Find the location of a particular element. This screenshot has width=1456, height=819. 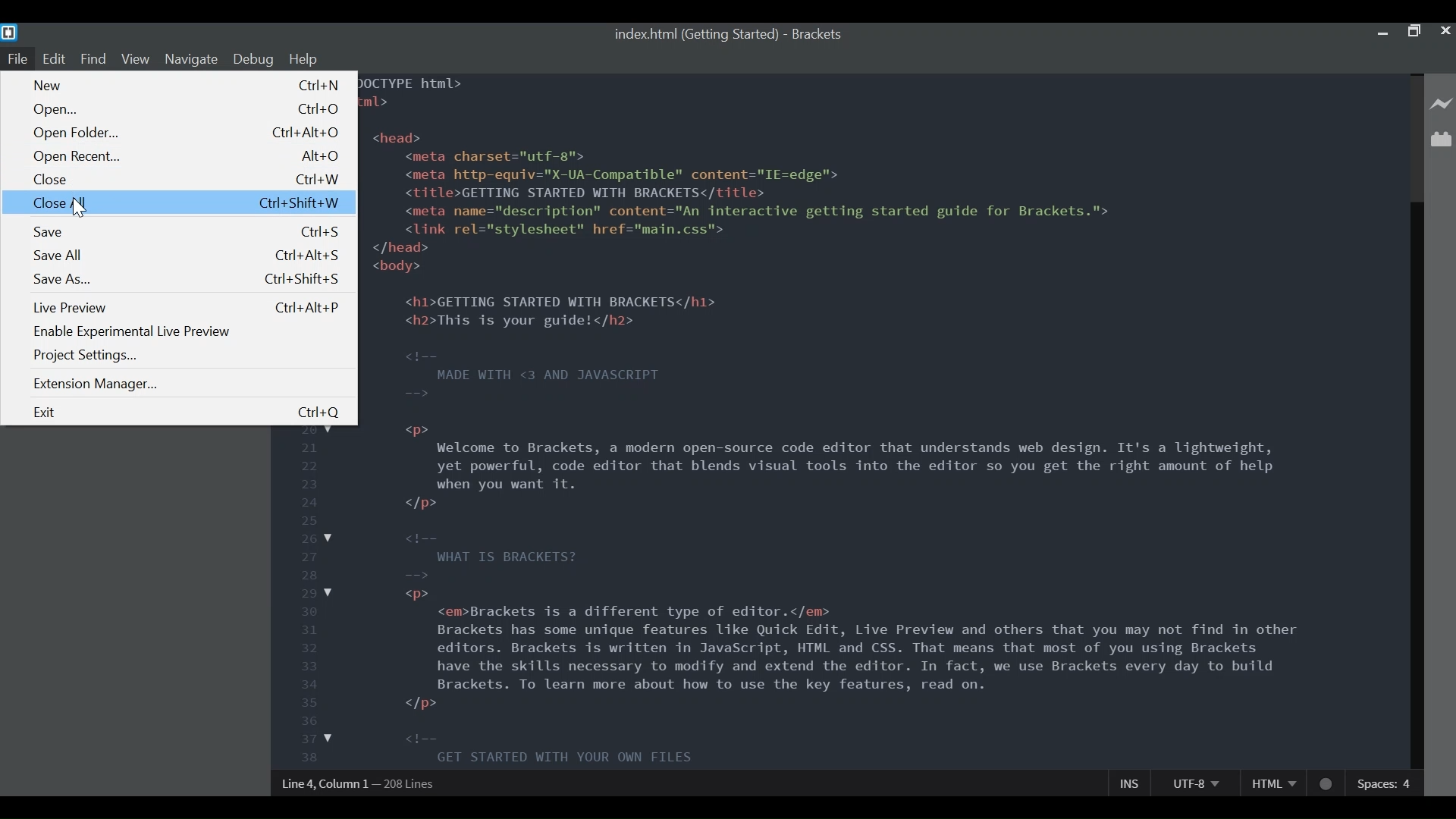

Line, Column is located at coordinates (360, 781).